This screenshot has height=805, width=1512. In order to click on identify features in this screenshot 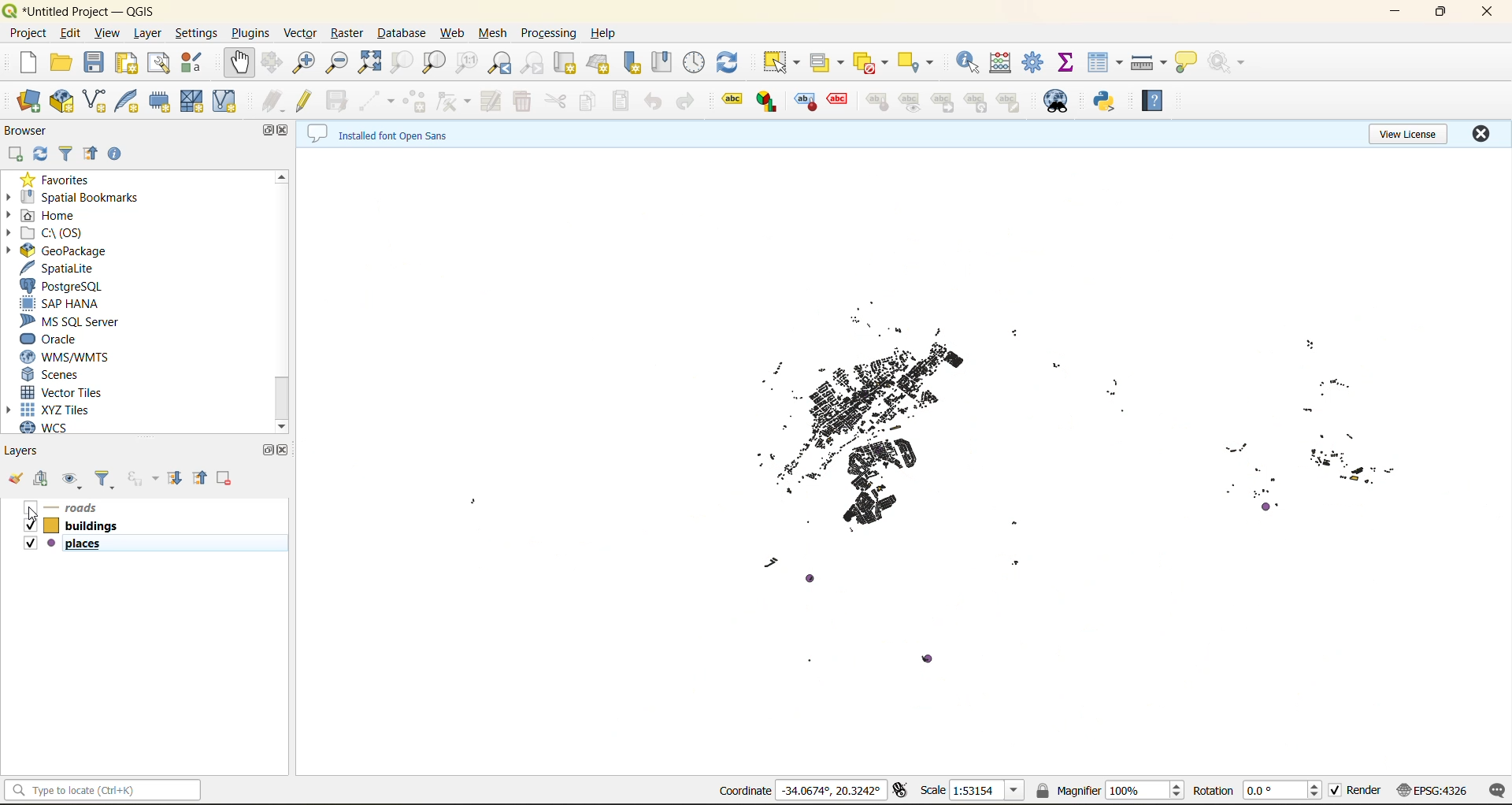, I will do `click(973, 61)`.